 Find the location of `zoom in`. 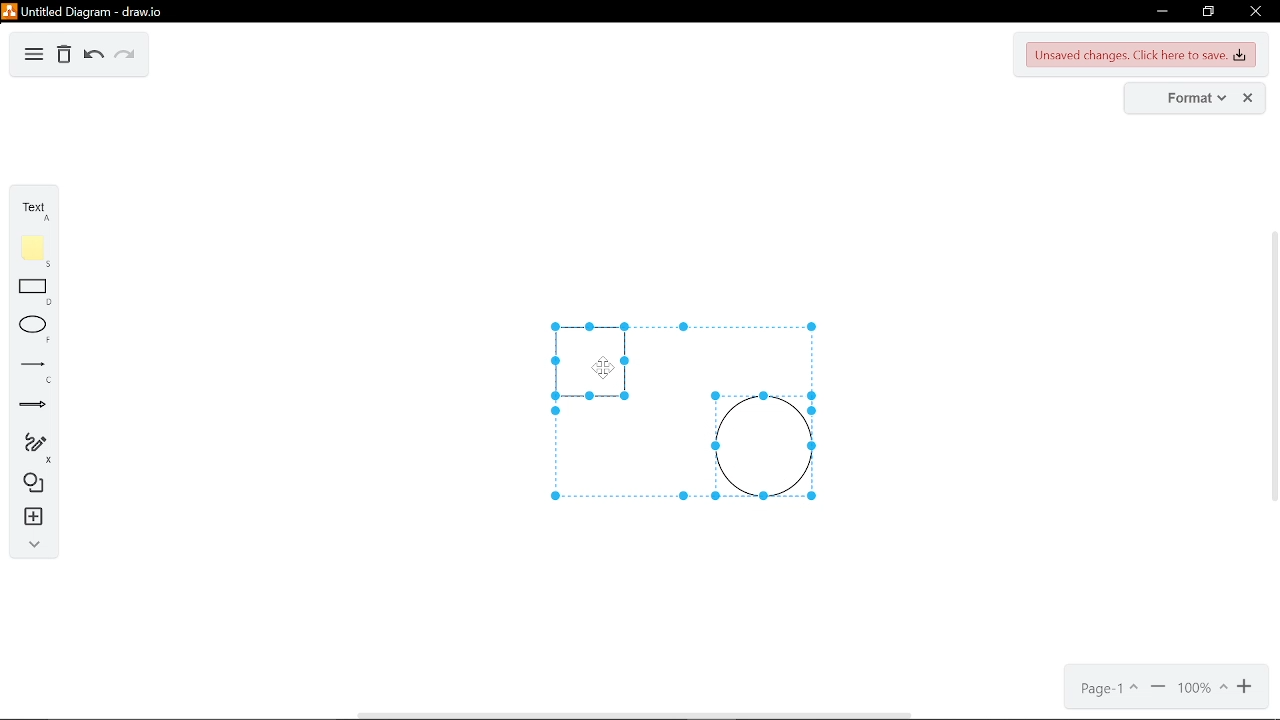

zoom in is located at coordinates (1246, 689).